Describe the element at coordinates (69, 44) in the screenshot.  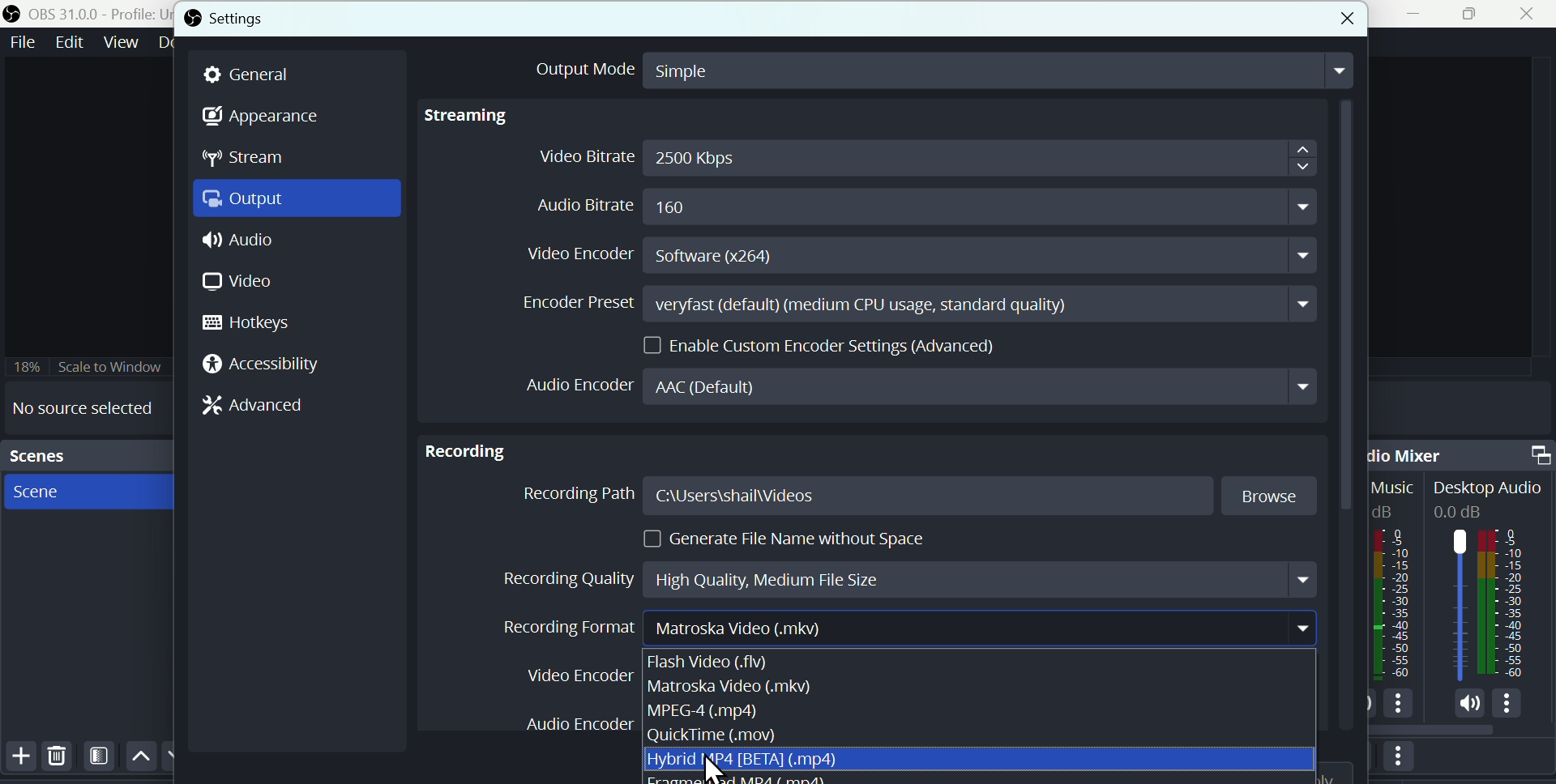
I see `Edit` at that location.